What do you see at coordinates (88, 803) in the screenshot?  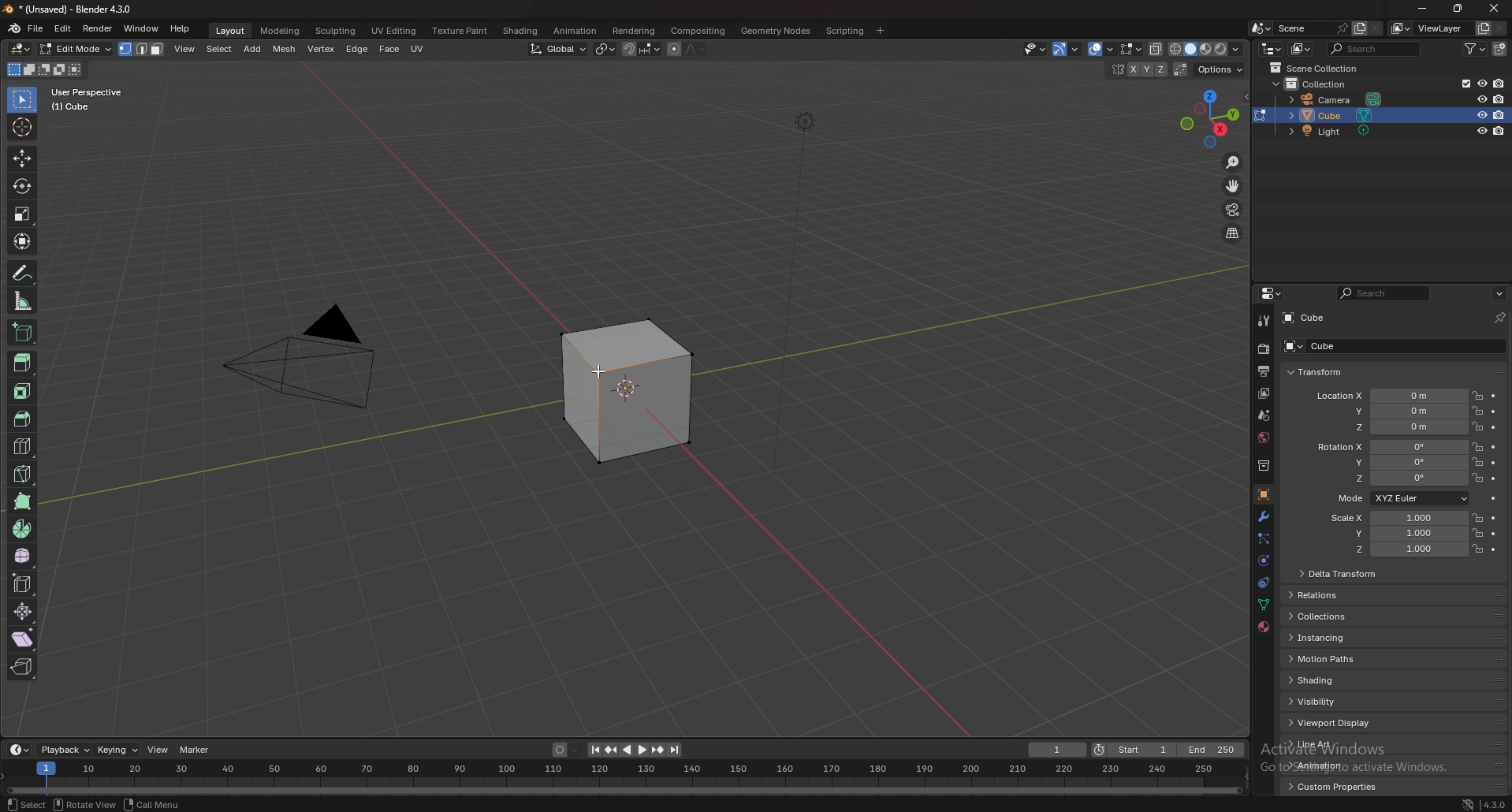 I see `rotate view` at bounding box center [88, 803].